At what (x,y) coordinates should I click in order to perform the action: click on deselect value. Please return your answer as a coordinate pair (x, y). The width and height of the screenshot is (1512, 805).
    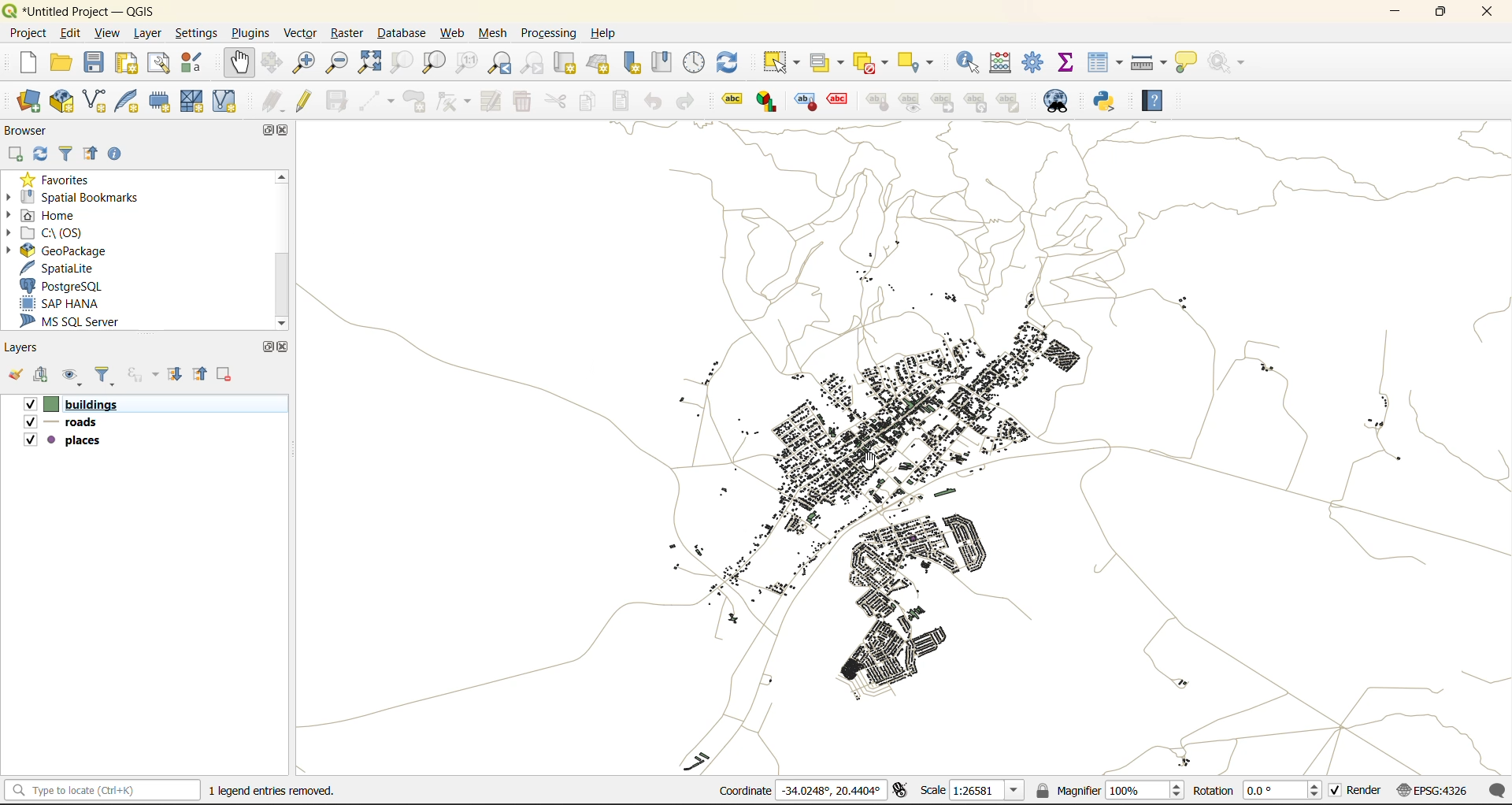
    Looking at the image, I should click on (873, 65).